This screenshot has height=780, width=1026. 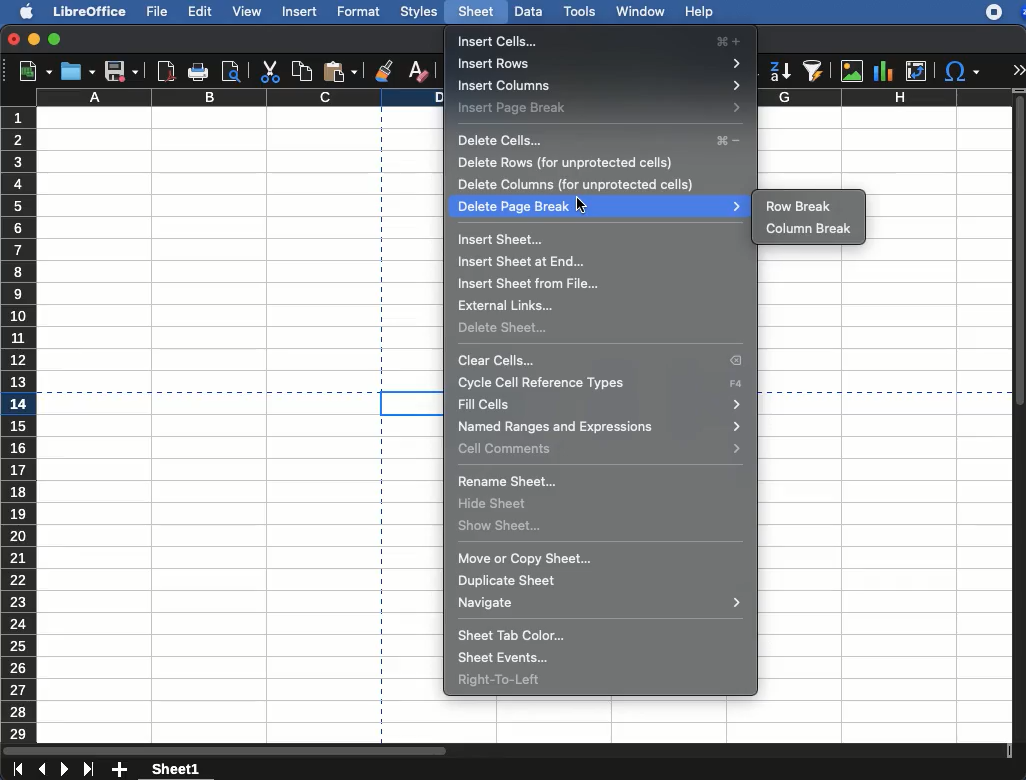 What do you see at coordinates (598, 603) in the screenshot?
I see `navigate` at bounding box center [598, 603].